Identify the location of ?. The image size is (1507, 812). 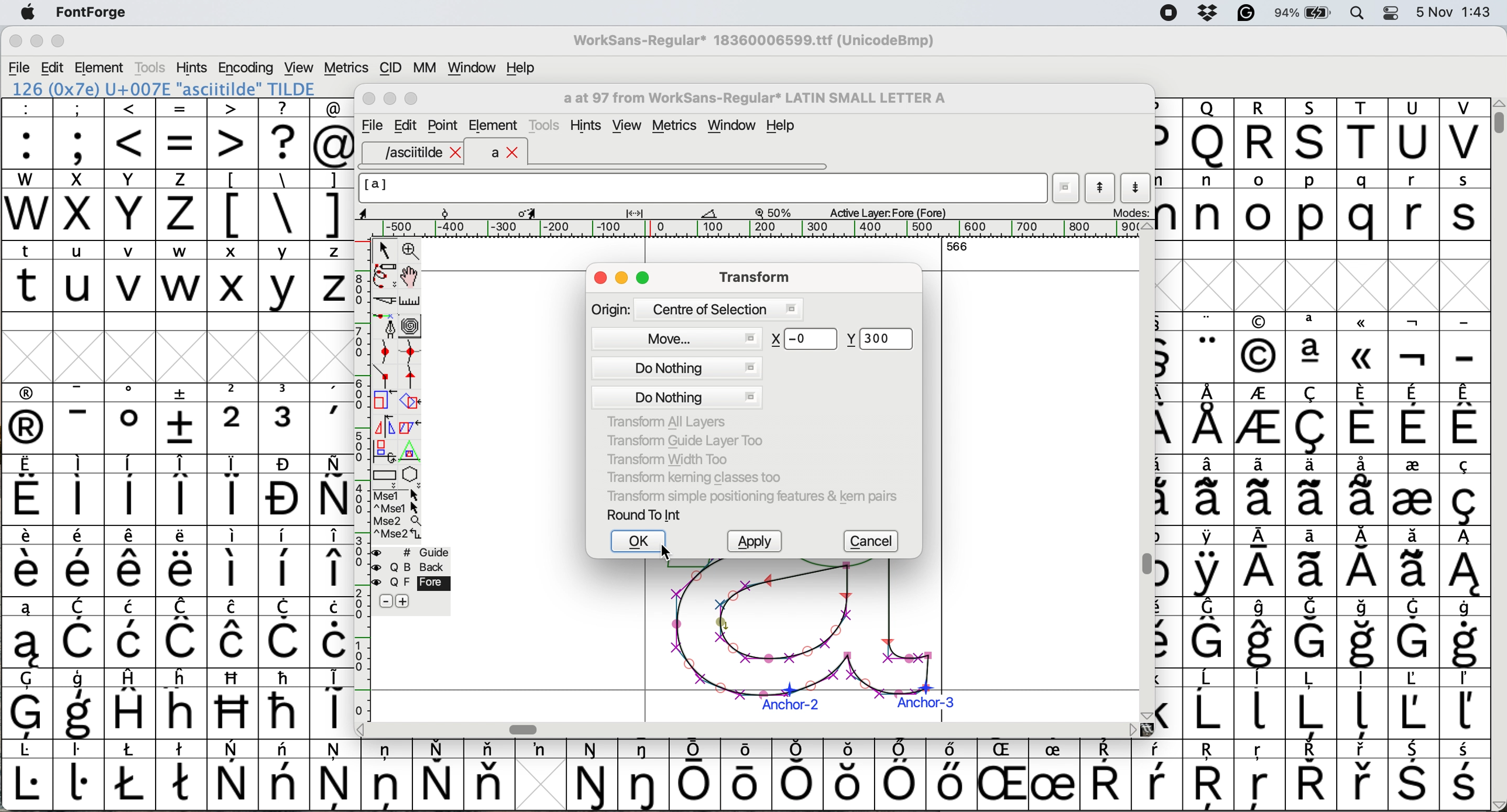
(284, 133).